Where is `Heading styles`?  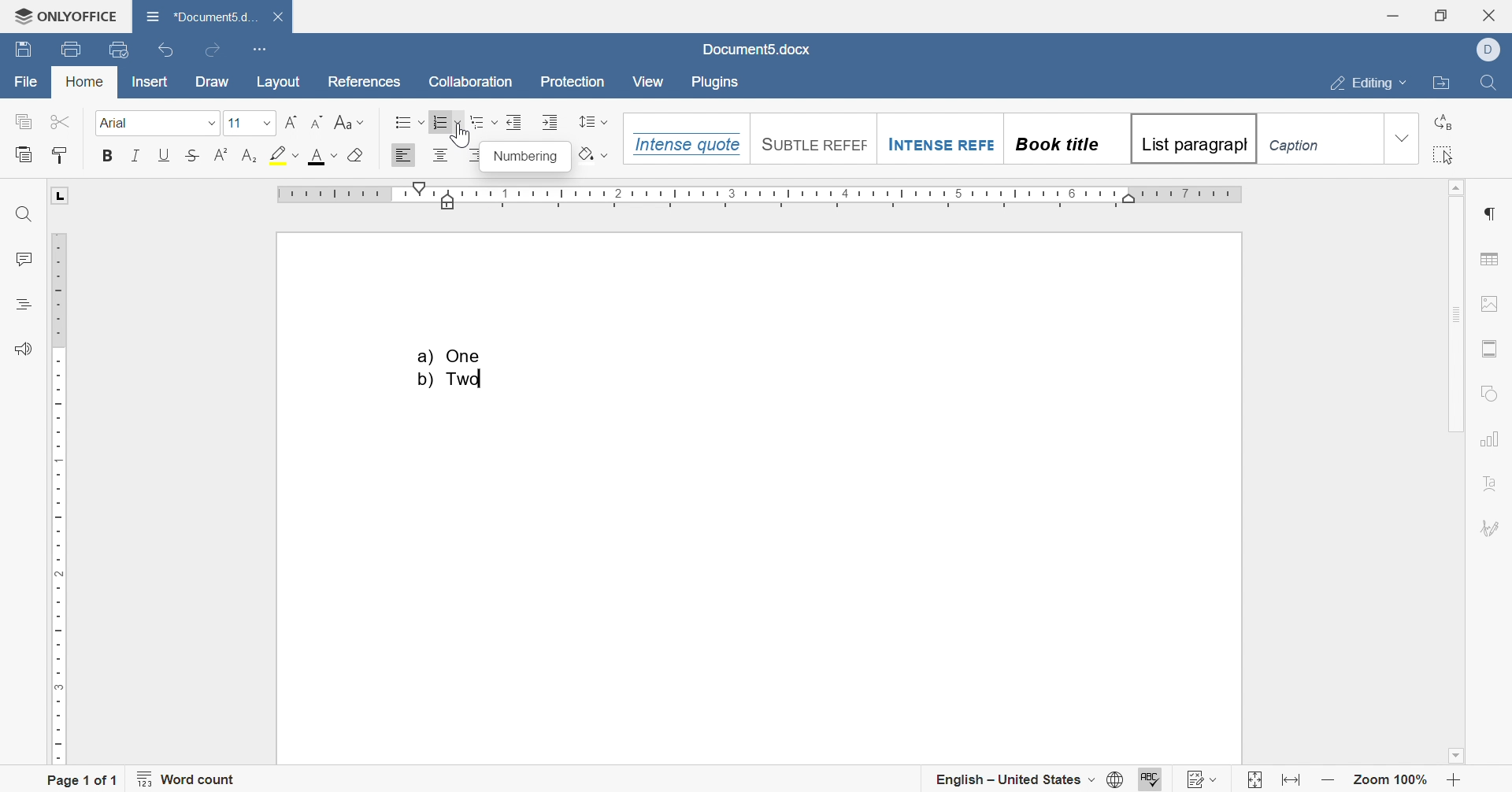
Heading styles is located at coordinates (1005, 139).